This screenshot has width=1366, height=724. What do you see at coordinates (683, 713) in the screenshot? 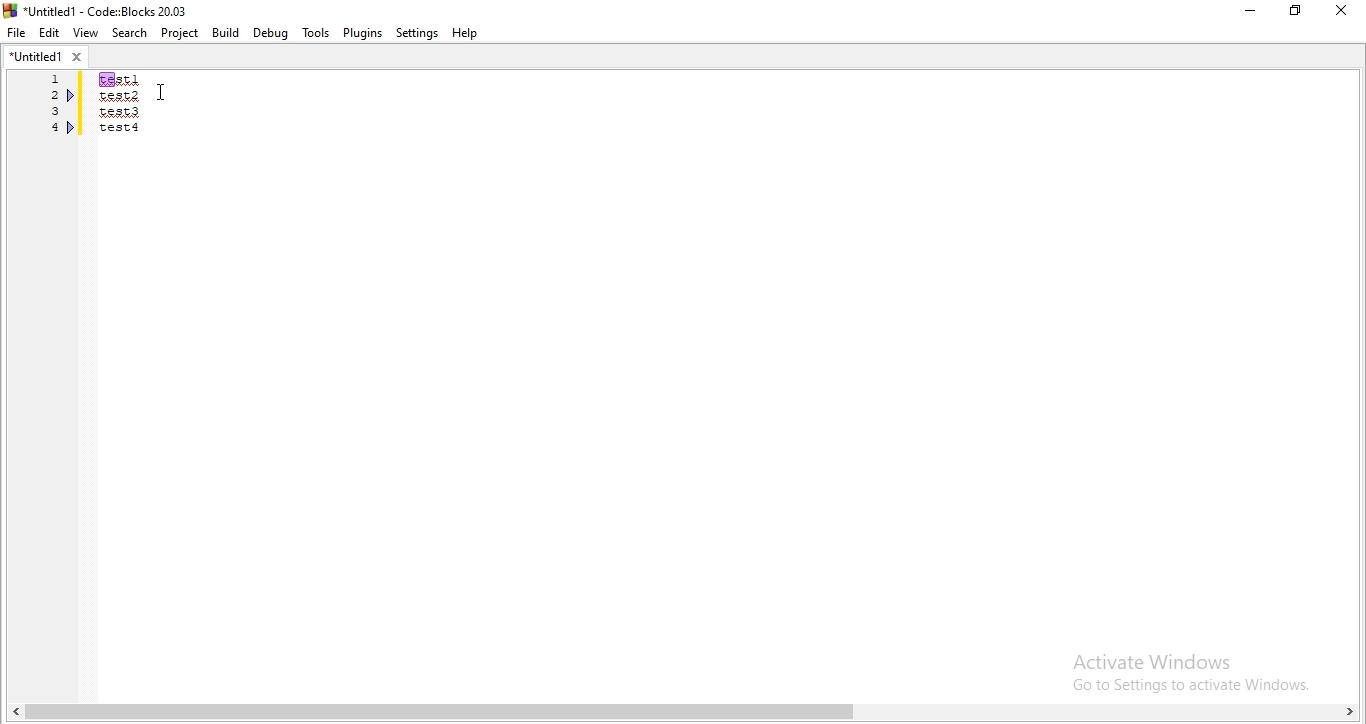
I see `scroll bar` at bounding box center [683, 713].